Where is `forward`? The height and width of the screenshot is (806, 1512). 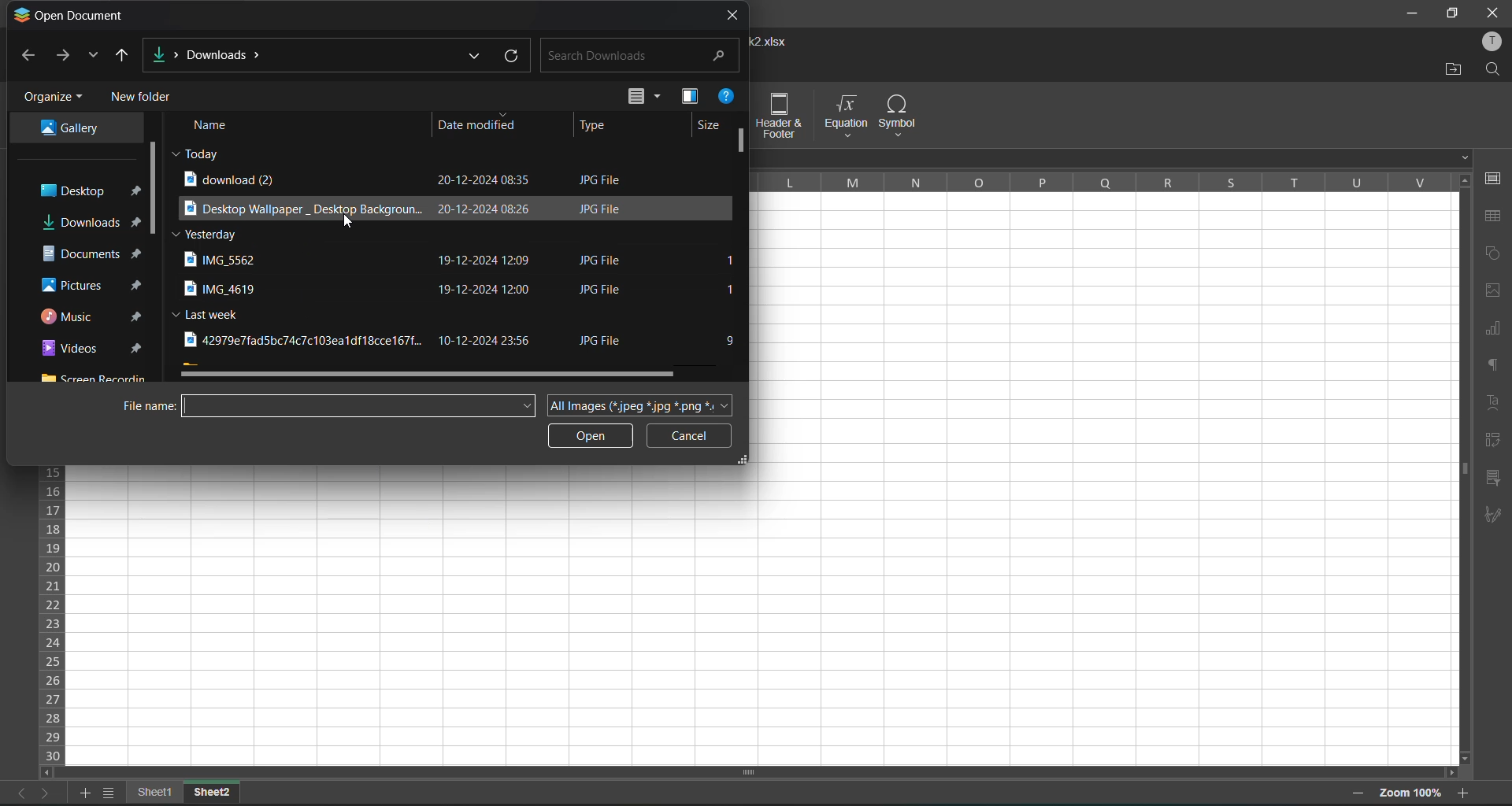
forward is located at coordinates (65, 57).